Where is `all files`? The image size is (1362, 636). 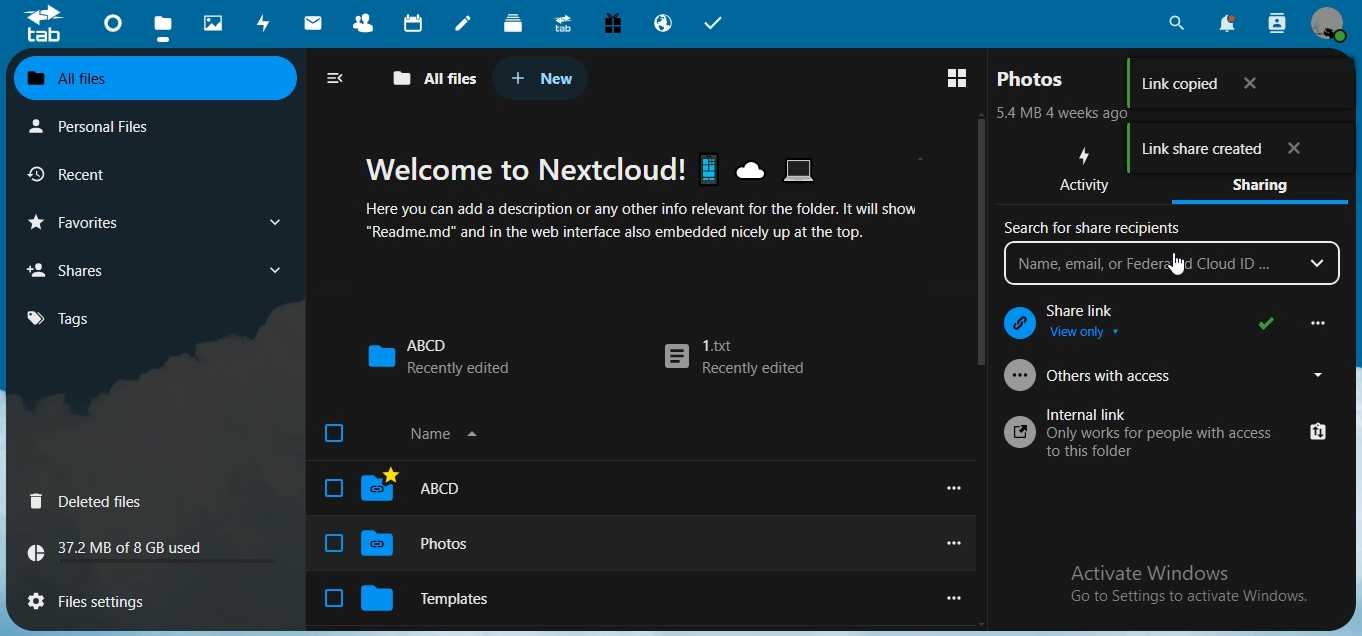 all files is located at coordinates (436, 79).